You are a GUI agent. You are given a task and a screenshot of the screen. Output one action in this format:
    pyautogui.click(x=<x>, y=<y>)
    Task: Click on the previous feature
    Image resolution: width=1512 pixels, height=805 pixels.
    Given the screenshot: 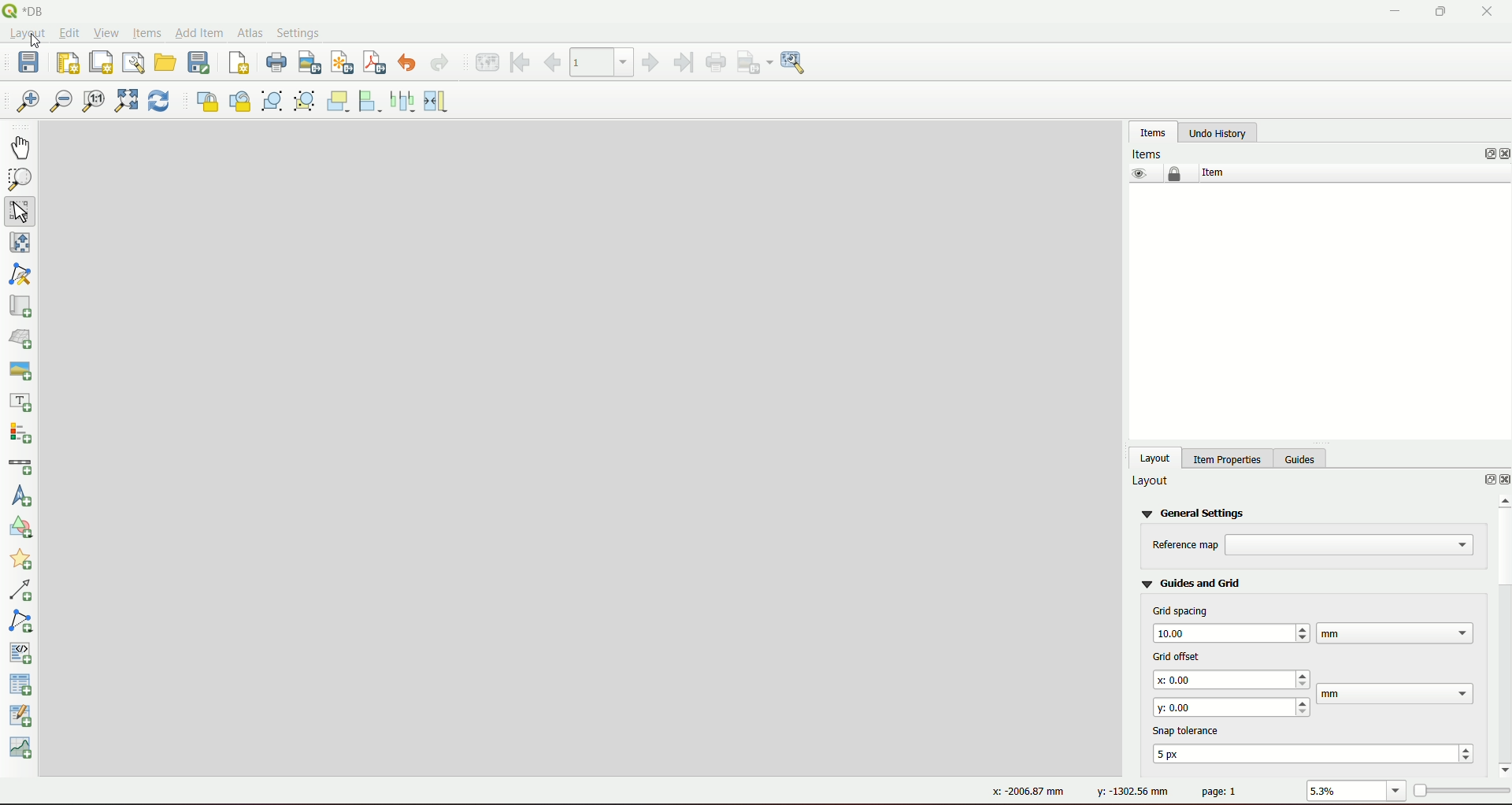 What is the action you would take?
    pyautogui.click(x=554, y=62)
    